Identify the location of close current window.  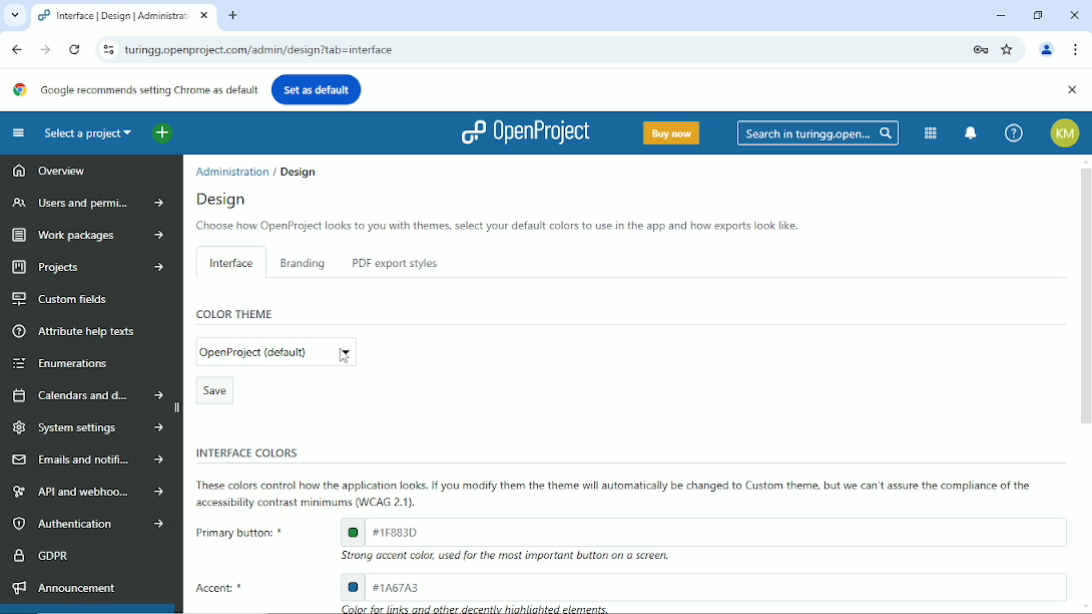
(204, 16).